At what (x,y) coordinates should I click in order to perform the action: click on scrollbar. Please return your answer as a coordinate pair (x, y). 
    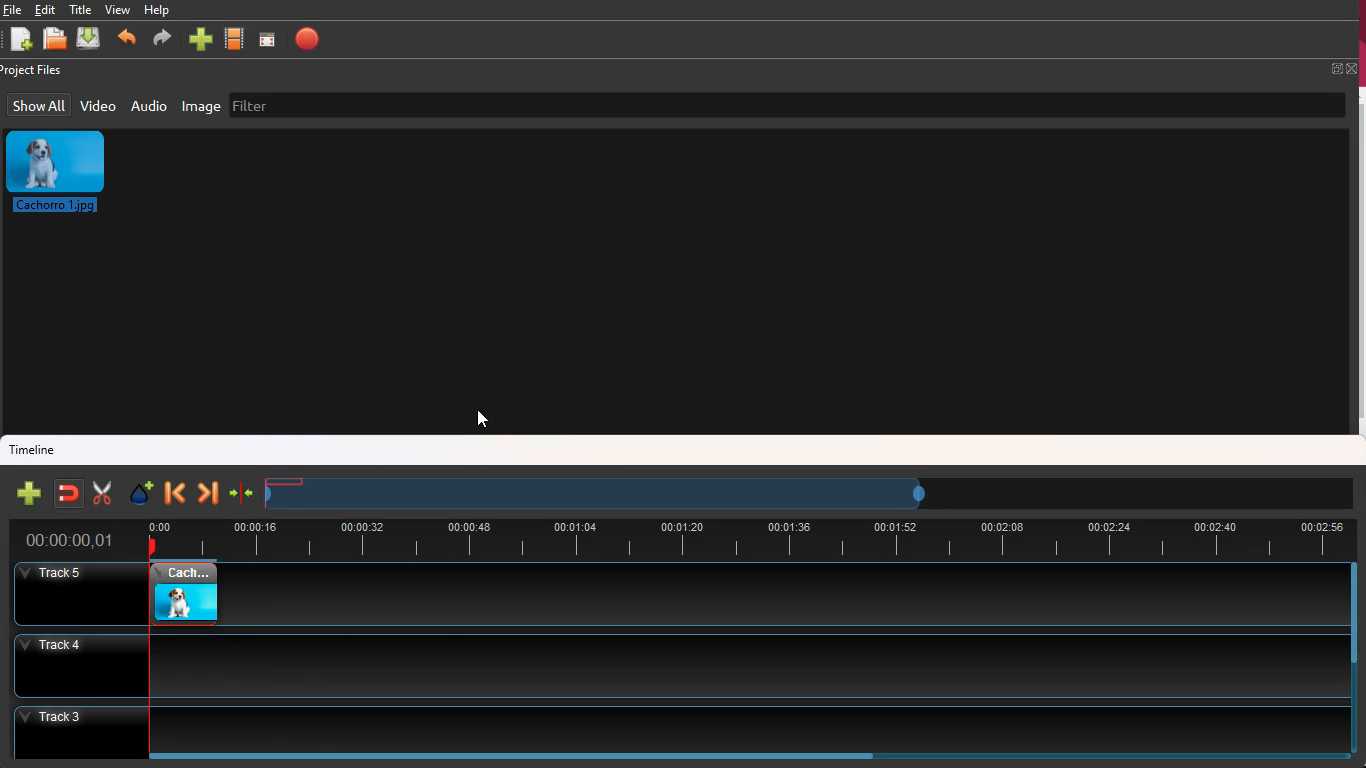
    Looking at the image, I should click on (744, 754).